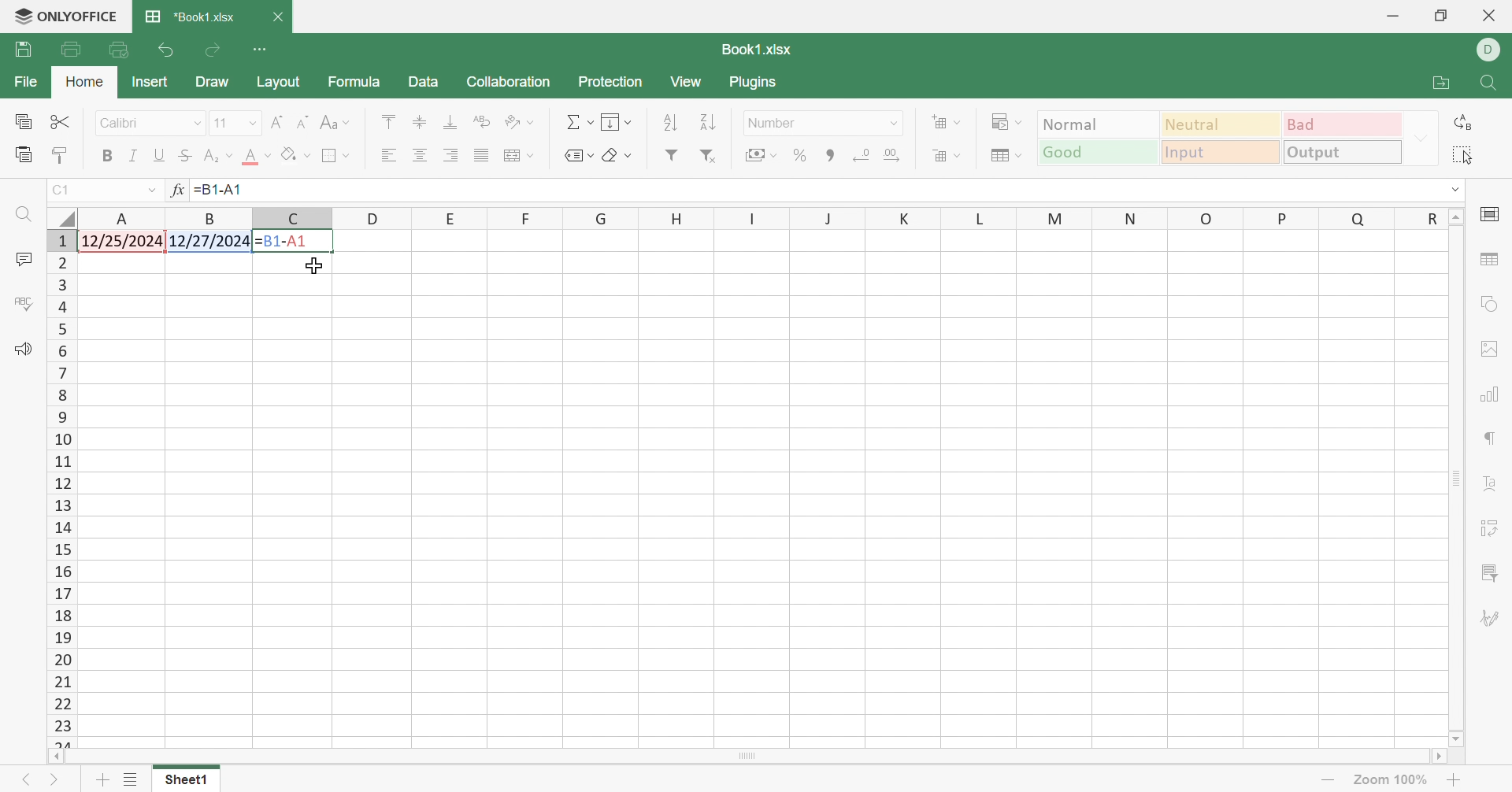  What do you see at coordinates (59, 192) in the screenshot?
I see `C1` at bounding box center [59, 192].